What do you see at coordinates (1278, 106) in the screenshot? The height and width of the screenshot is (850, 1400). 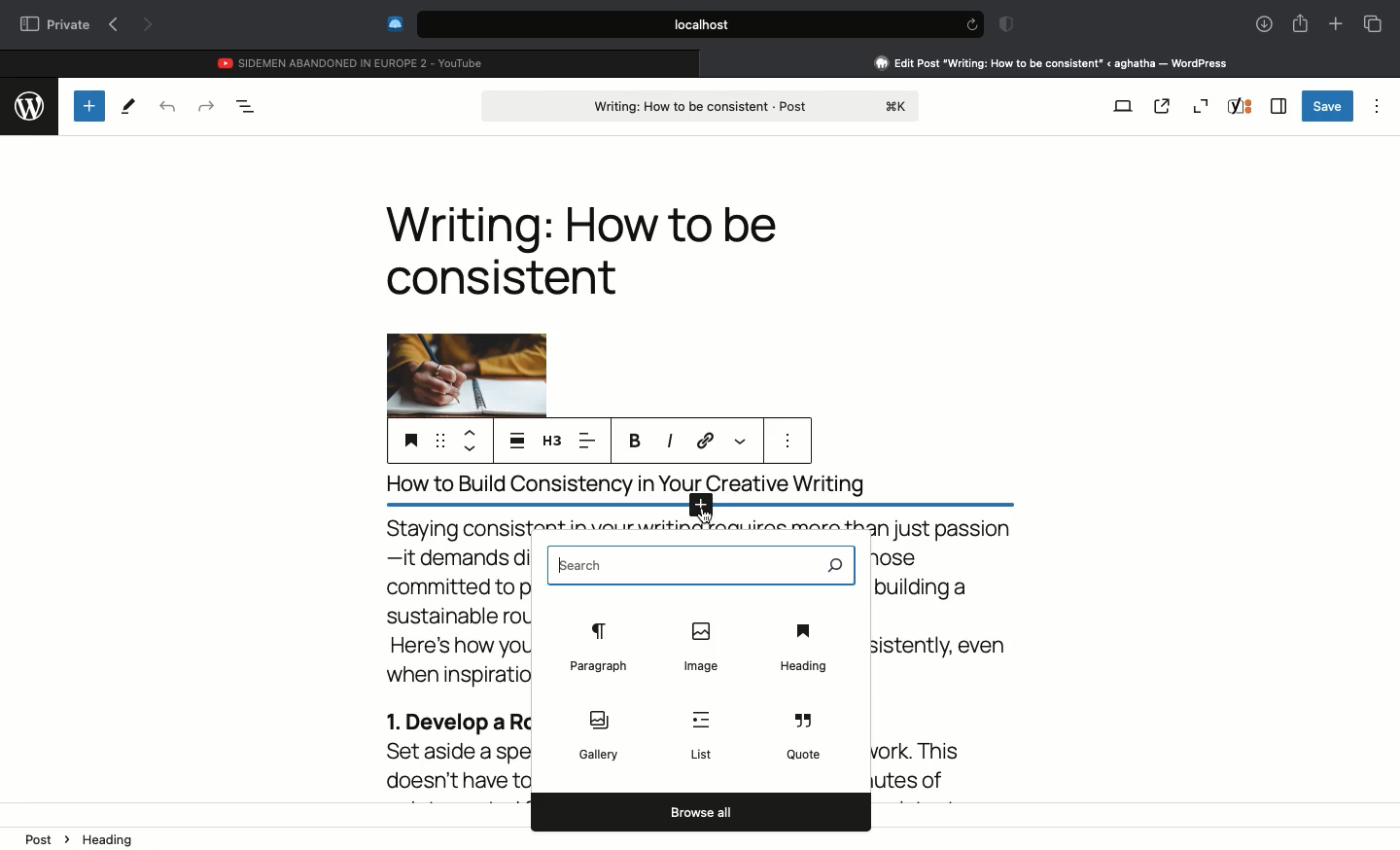 I see `Sidebar` at bounding box center [1278, 106].